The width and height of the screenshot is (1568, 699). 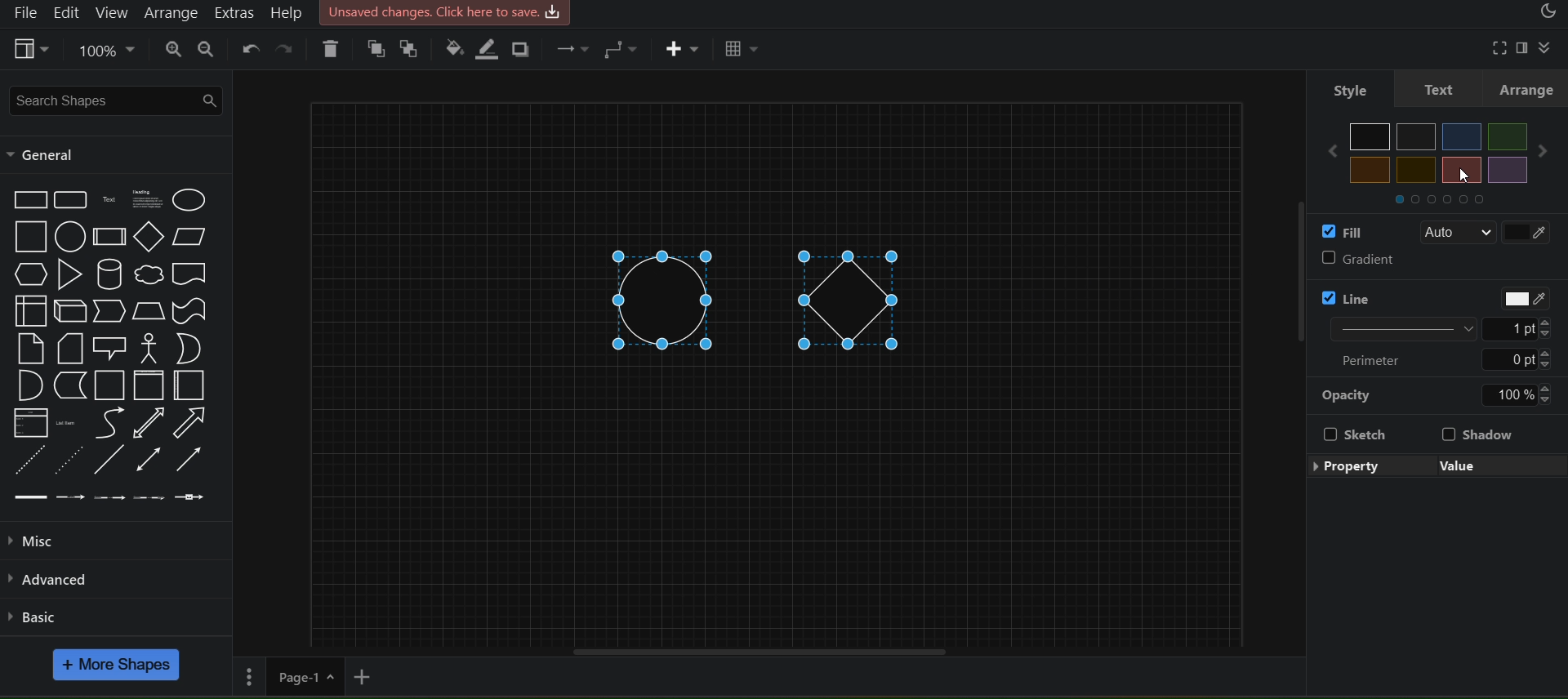 What do you see at coordinates (26, 12) in the screenshot?
I see `file` at bounding box center [26, 12].